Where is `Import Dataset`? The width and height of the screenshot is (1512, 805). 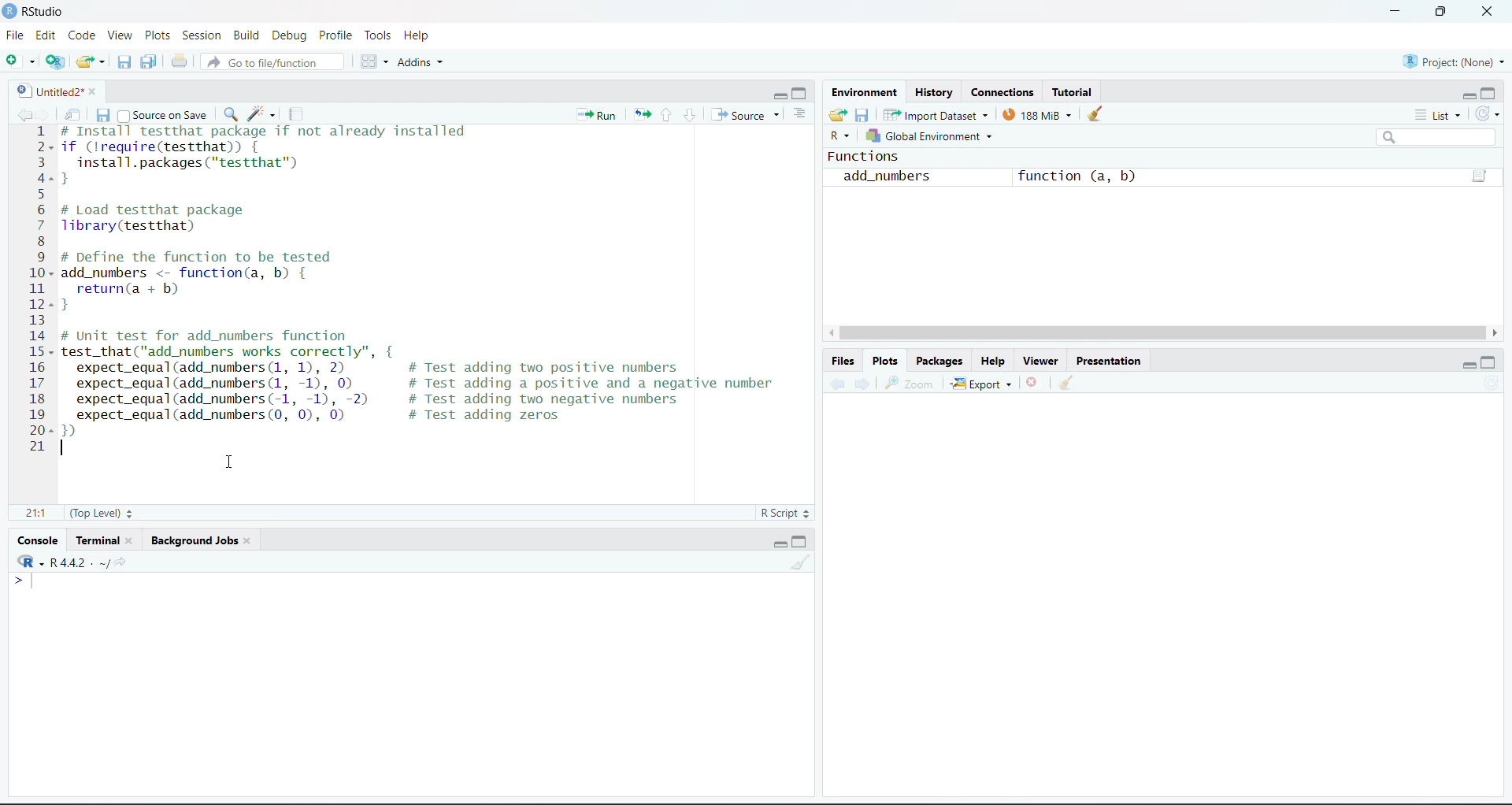
Import Dataset is located at coordinates (936, 115).